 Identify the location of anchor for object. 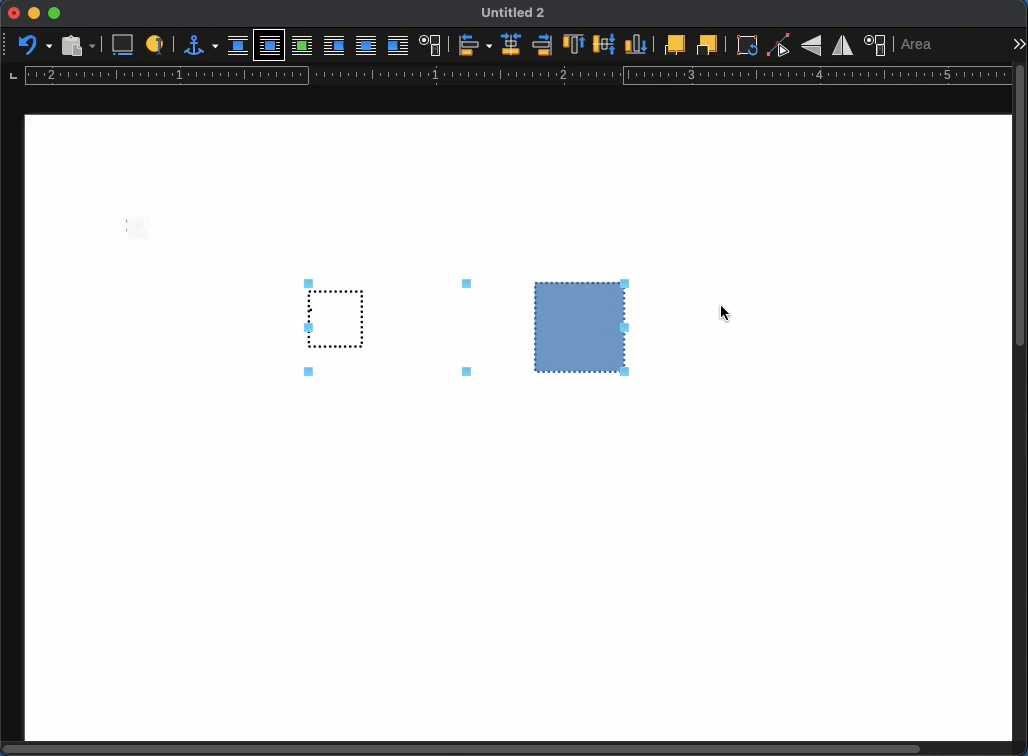
(202, 48).